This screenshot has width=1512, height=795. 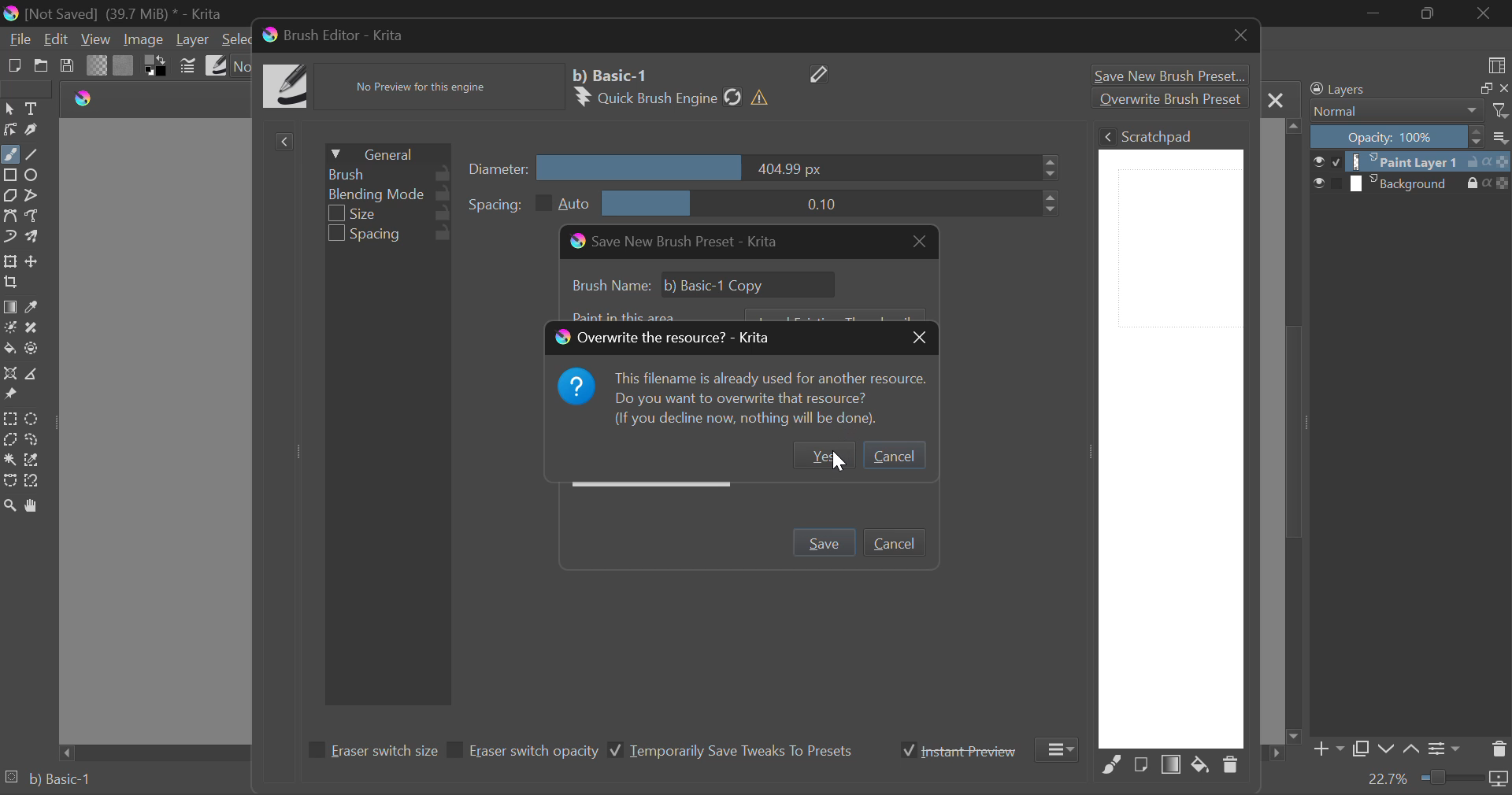 What do you see at coordinates (287, 87) in the screenshot?
I see `Brush Icon` at bounding box center [287, 87].